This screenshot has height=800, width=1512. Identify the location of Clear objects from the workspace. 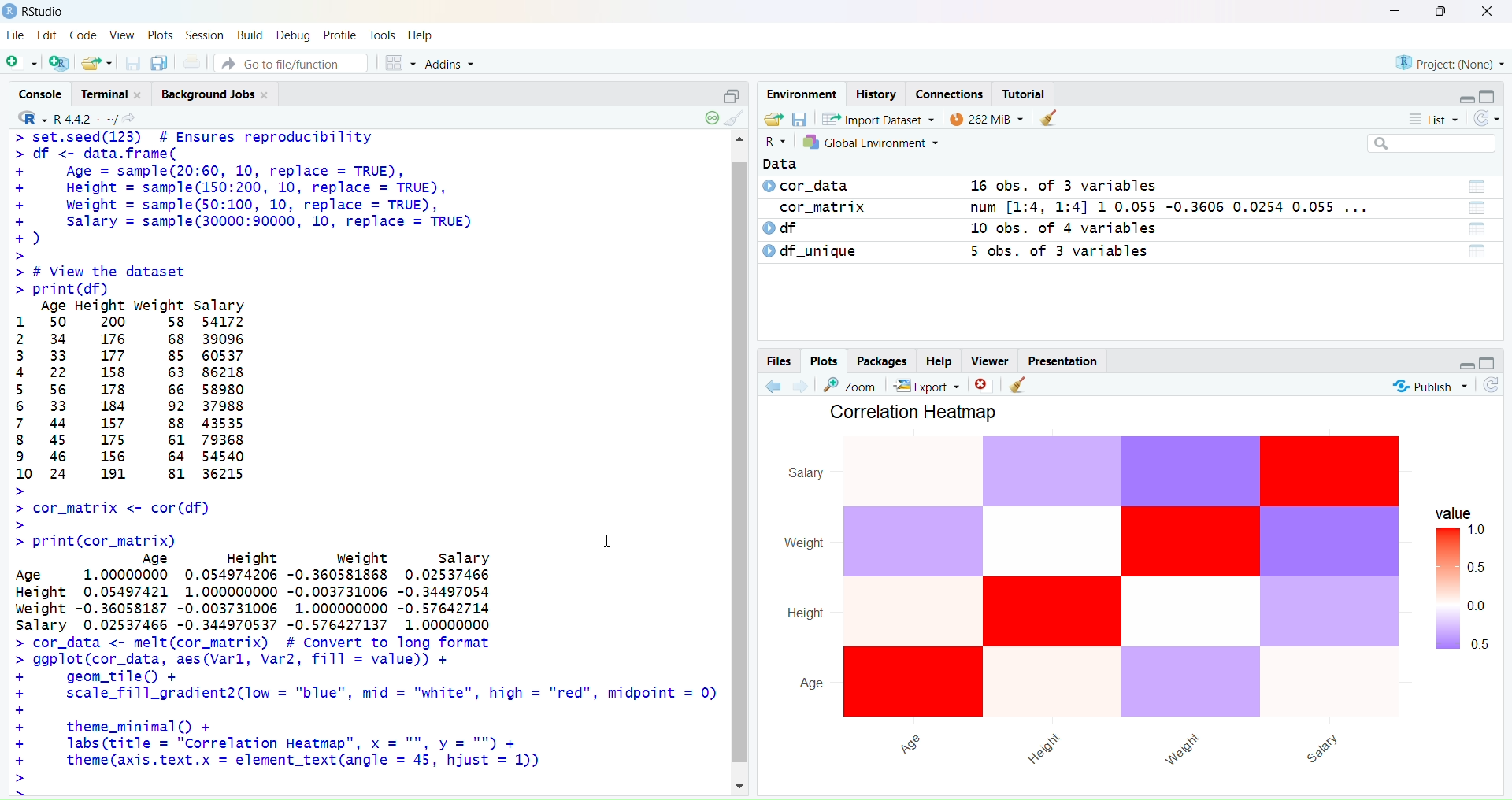
(1051, 116).